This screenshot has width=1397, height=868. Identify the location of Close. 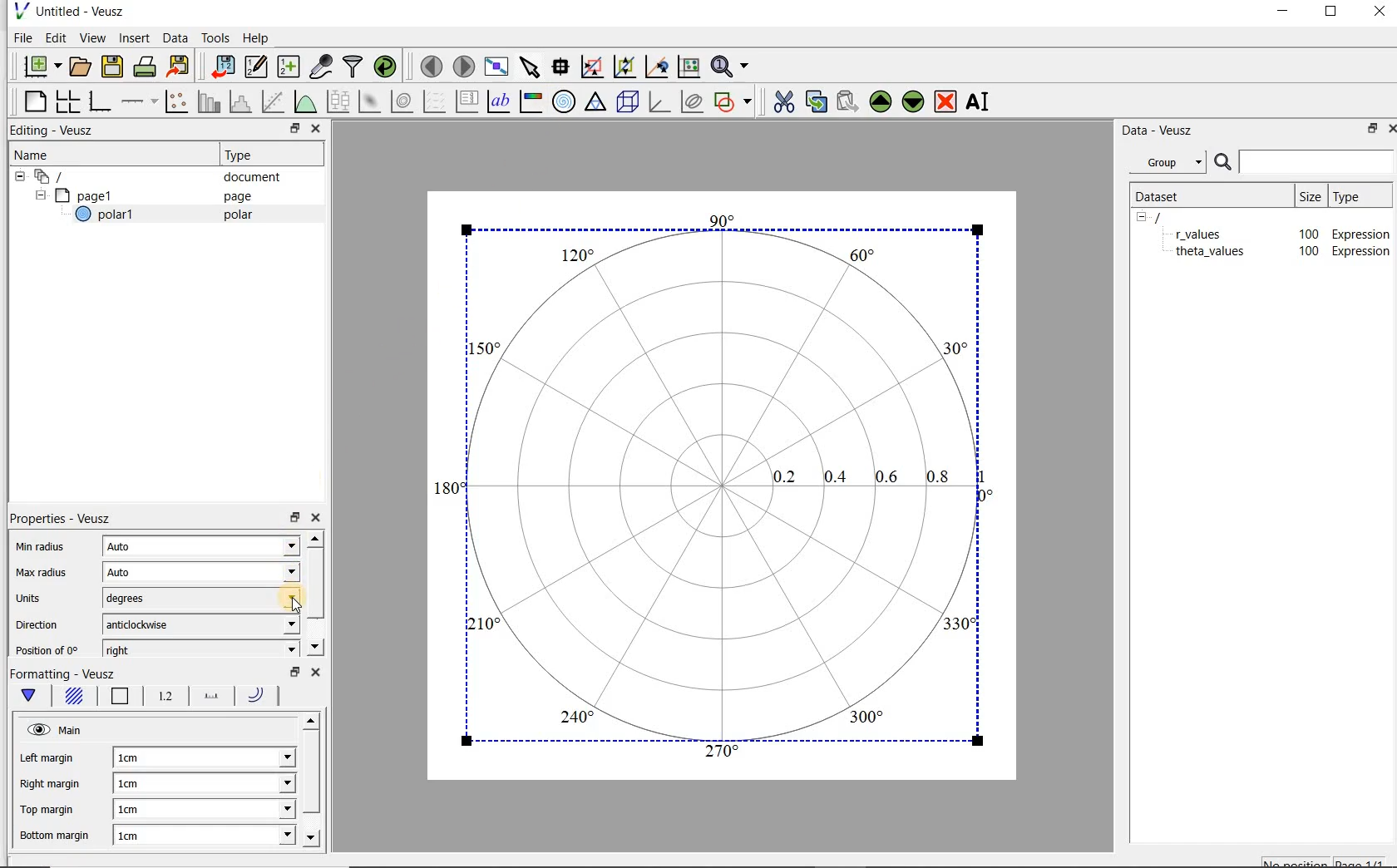
(314, 131).